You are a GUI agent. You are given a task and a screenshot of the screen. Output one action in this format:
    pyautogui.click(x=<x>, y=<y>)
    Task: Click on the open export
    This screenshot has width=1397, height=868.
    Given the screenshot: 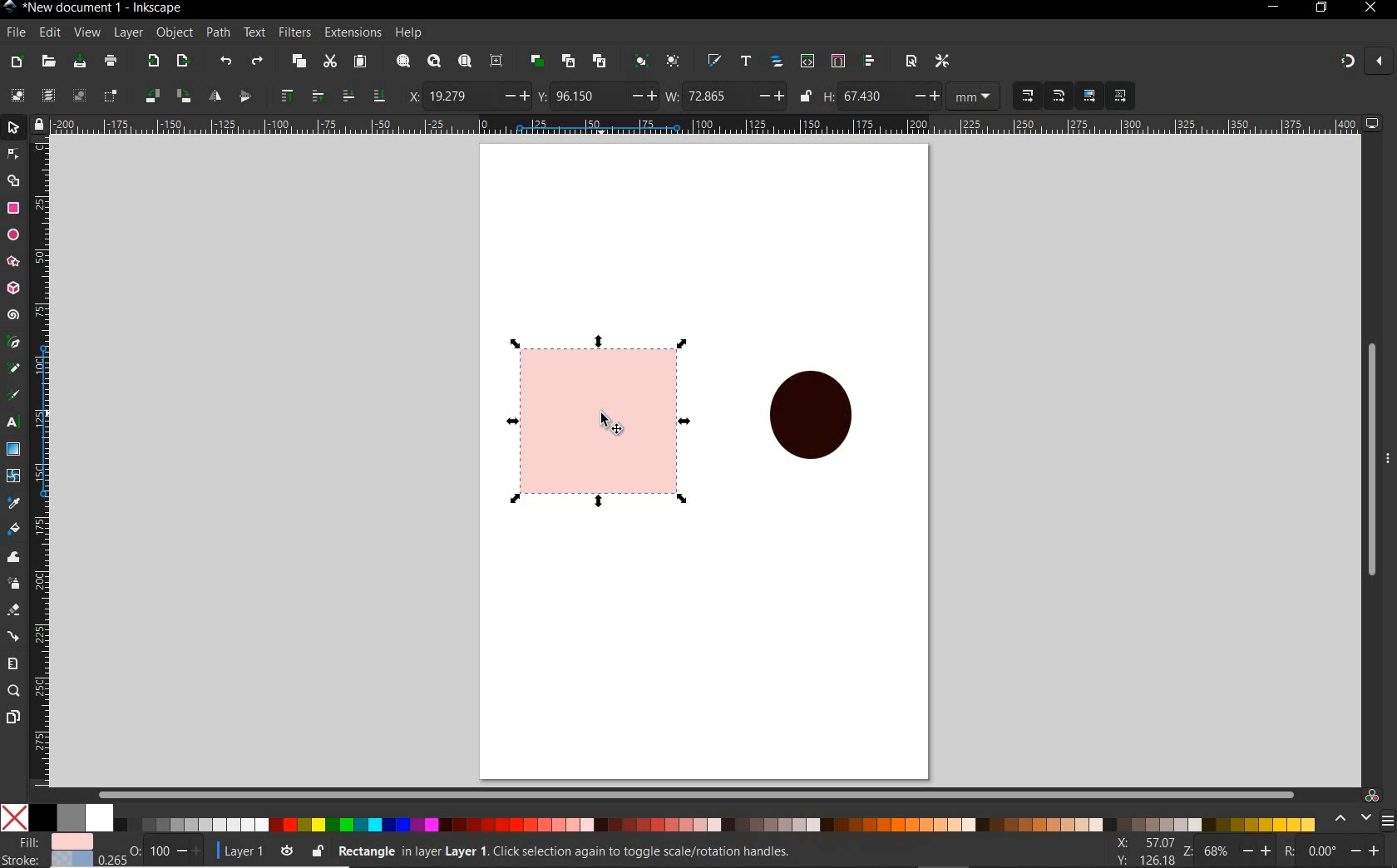 What is the action you would take?
    pyautogui.click(x=183, y=61)
    